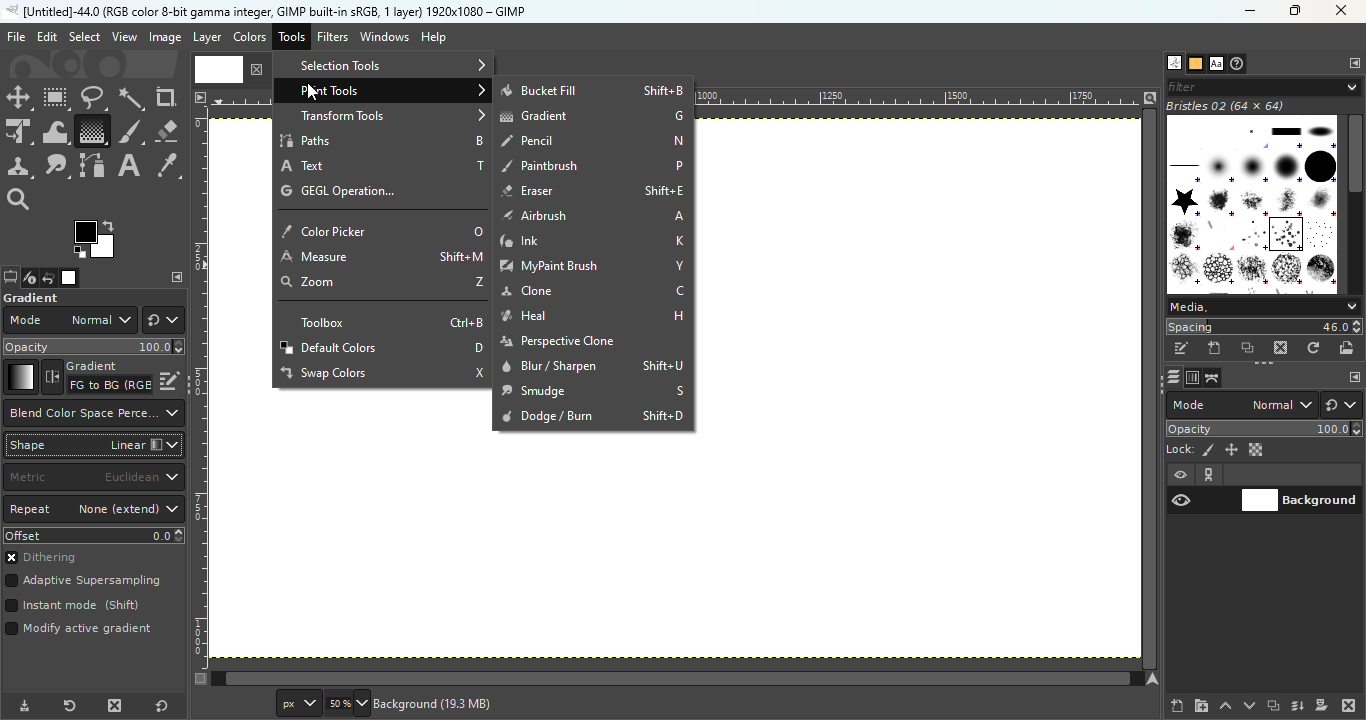  What do you see at coordinates (265, 11) in the screenshot?
I see `untitled -36.0 (rgb color 8-bit gamma integer , gimp built in stgb, 1 layer) 1174x788 - gimp` at bounding box center [265, 11].